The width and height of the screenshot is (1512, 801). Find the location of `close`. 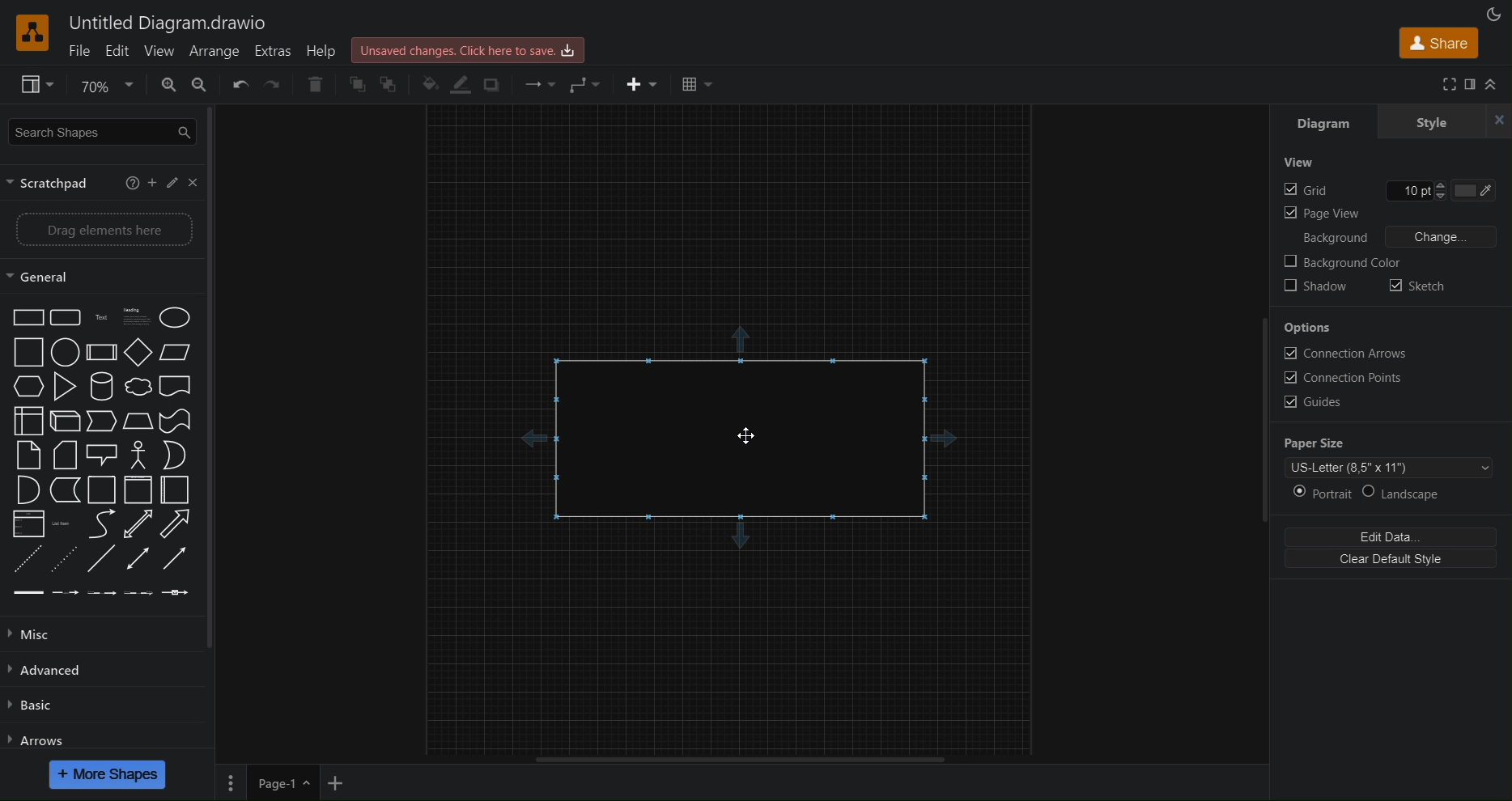

close is located at coordinates (196, 182).